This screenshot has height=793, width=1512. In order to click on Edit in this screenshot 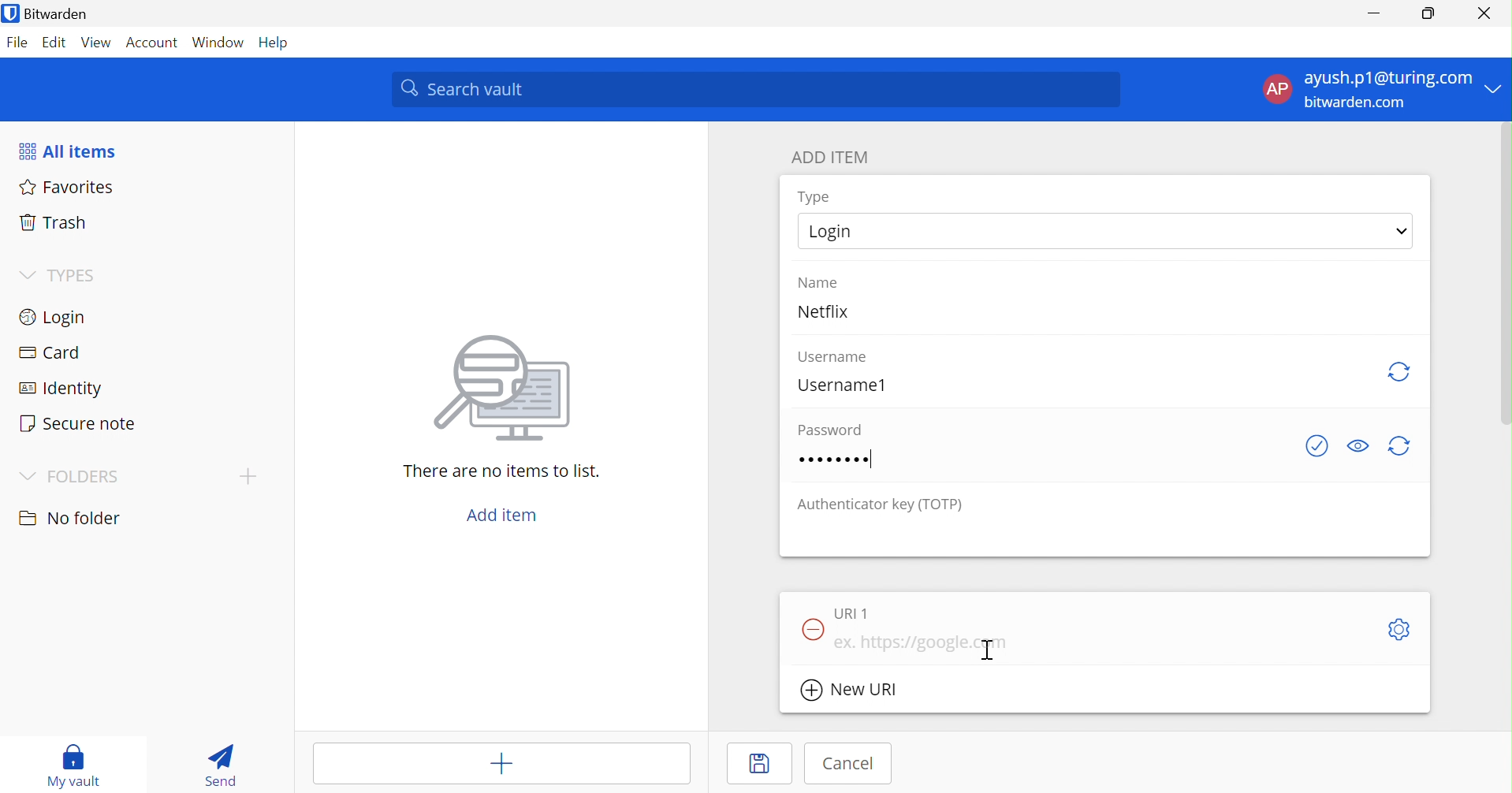, I will do `click(56, 43)`.